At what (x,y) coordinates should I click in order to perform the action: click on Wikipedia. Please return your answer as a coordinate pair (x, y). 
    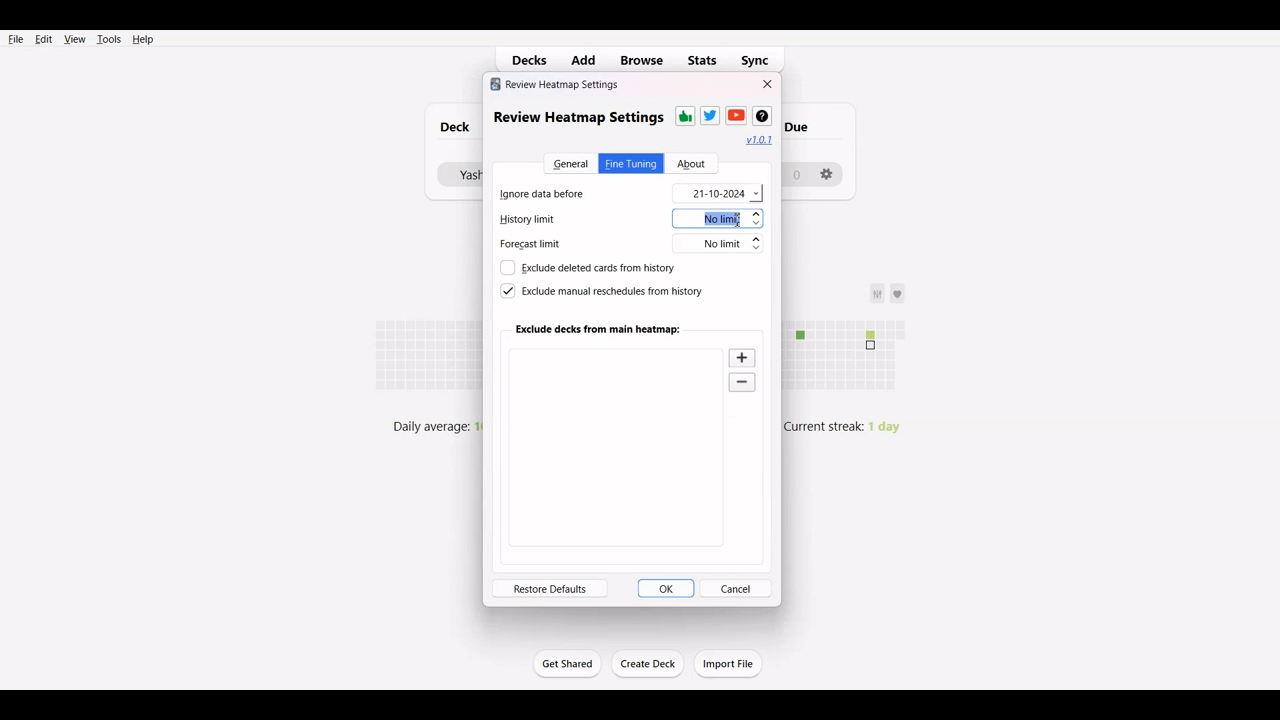
    Looking at the image, I should click on (761, 116).